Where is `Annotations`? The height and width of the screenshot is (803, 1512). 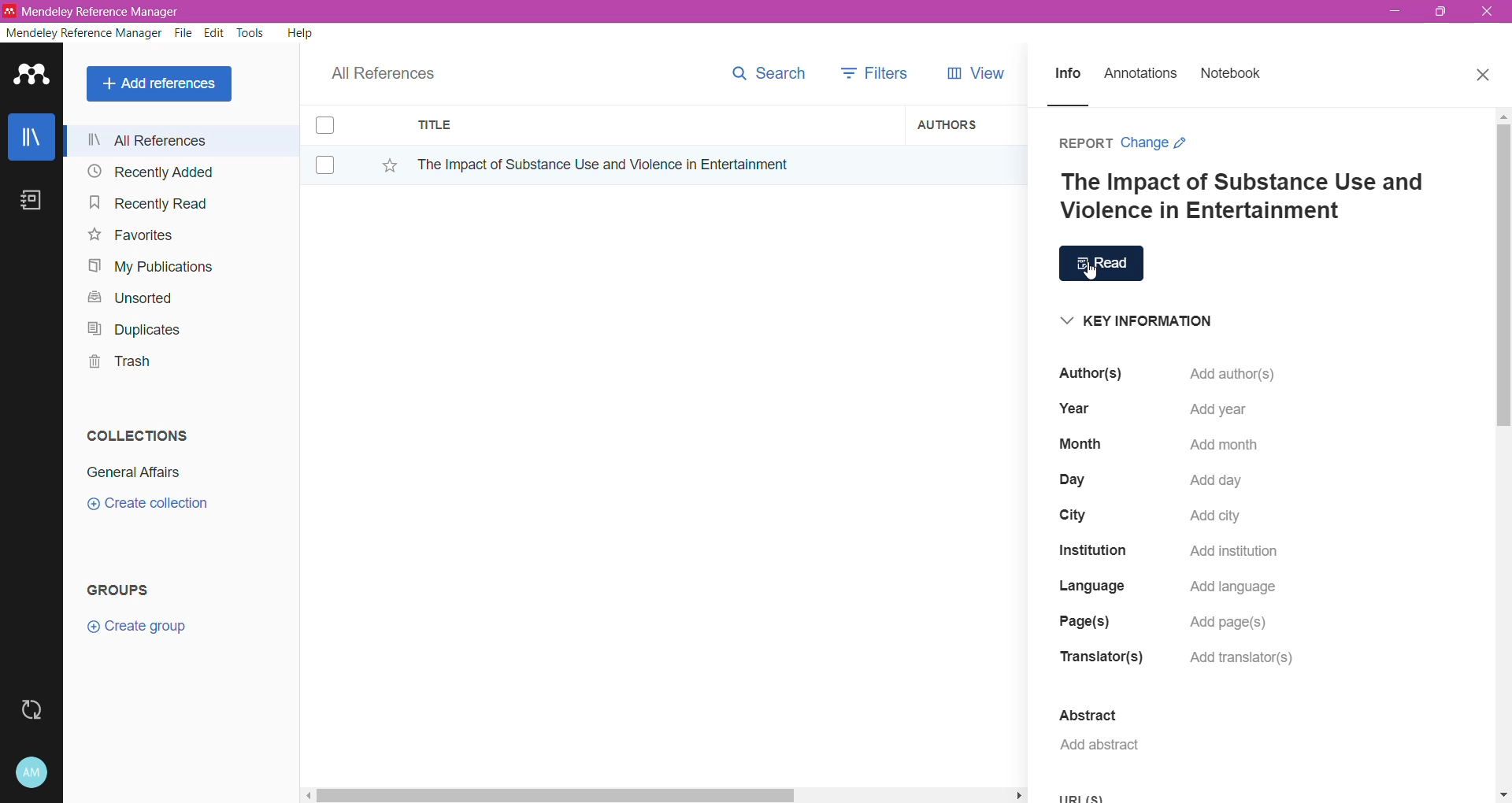 Annotations is located at coordinates (1137, 73).